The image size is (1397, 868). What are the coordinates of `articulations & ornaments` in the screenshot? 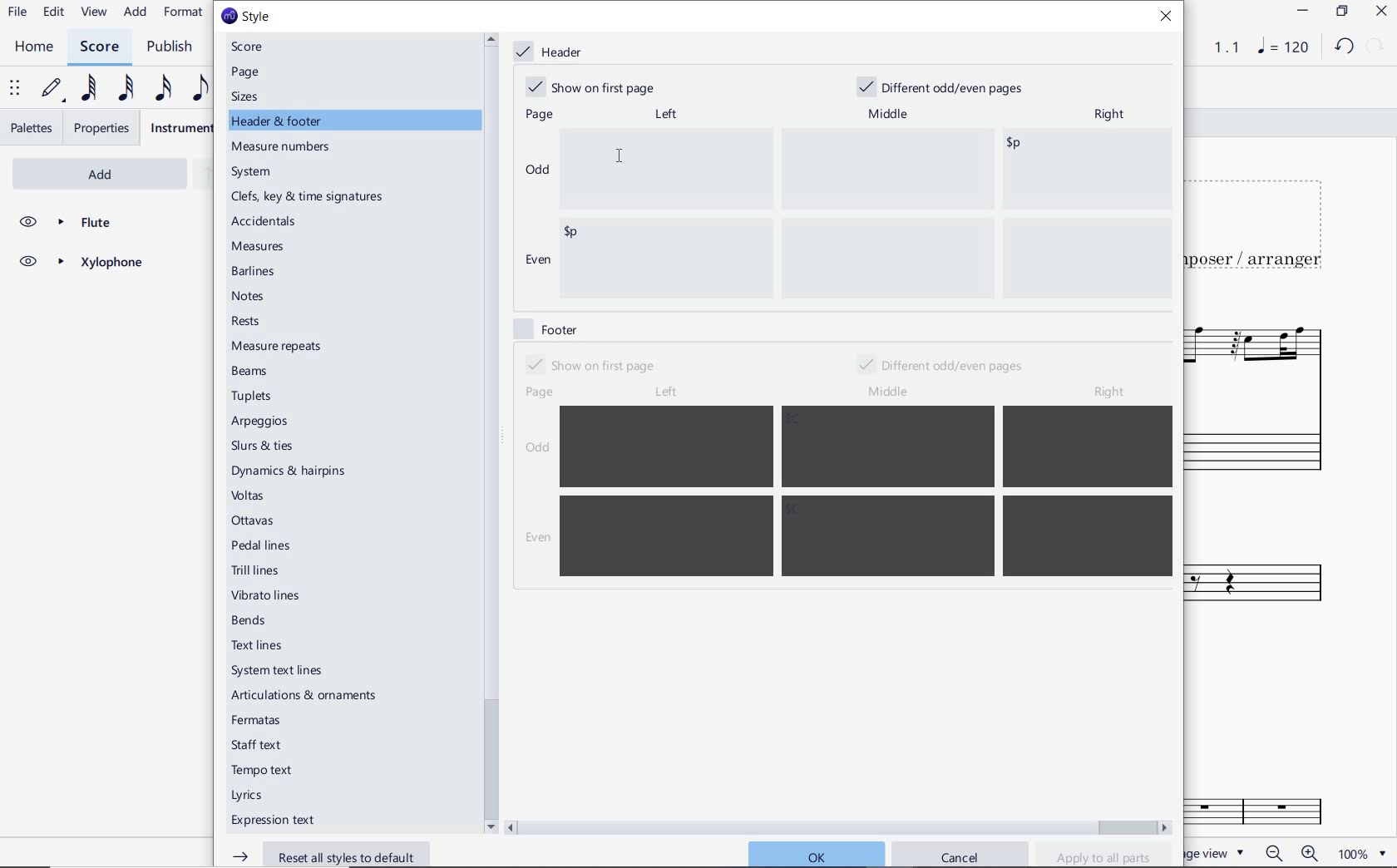 It's located at (309, 697).